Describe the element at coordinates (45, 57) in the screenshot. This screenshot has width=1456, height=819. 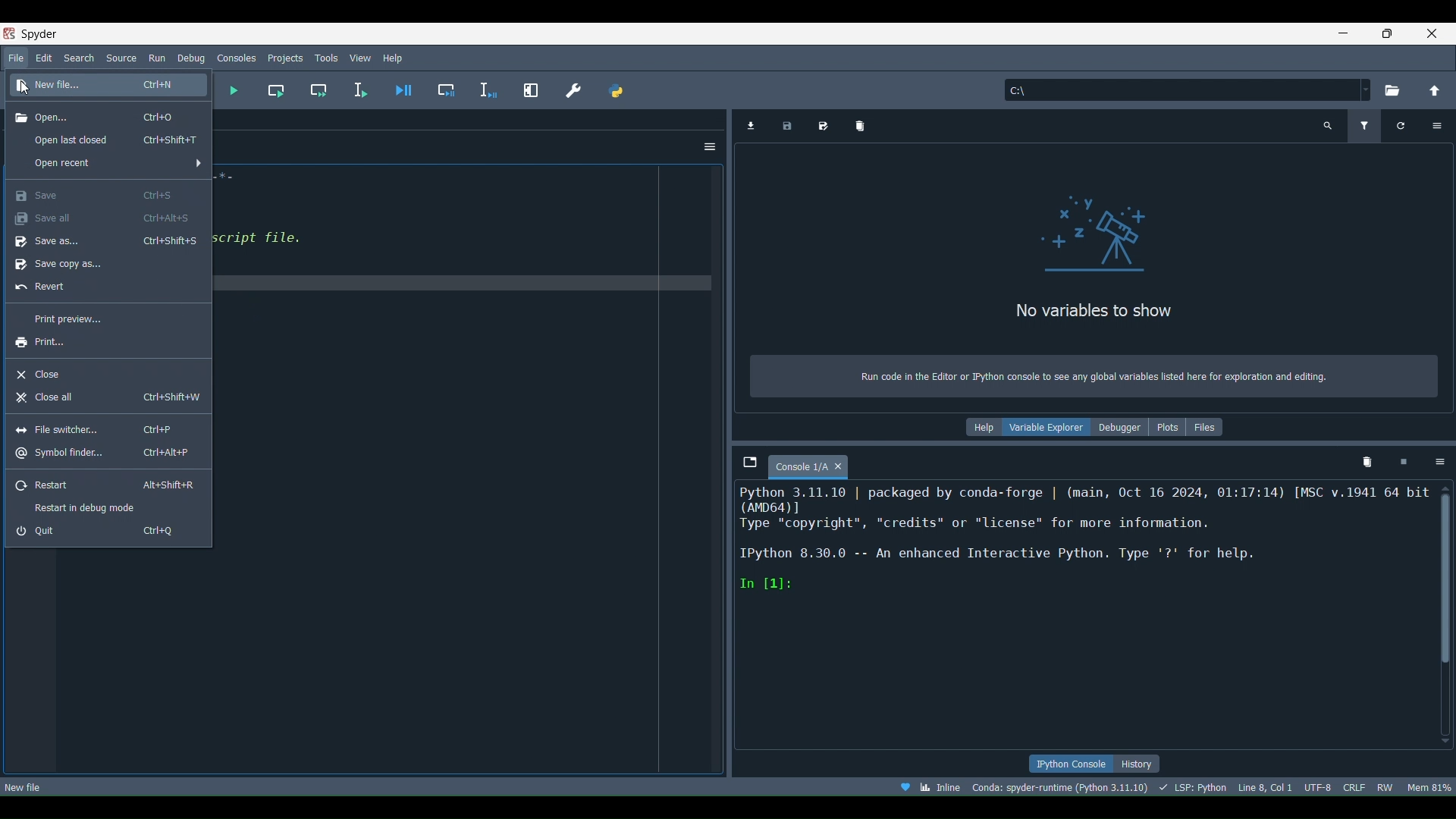
I see `Edit` at that location.